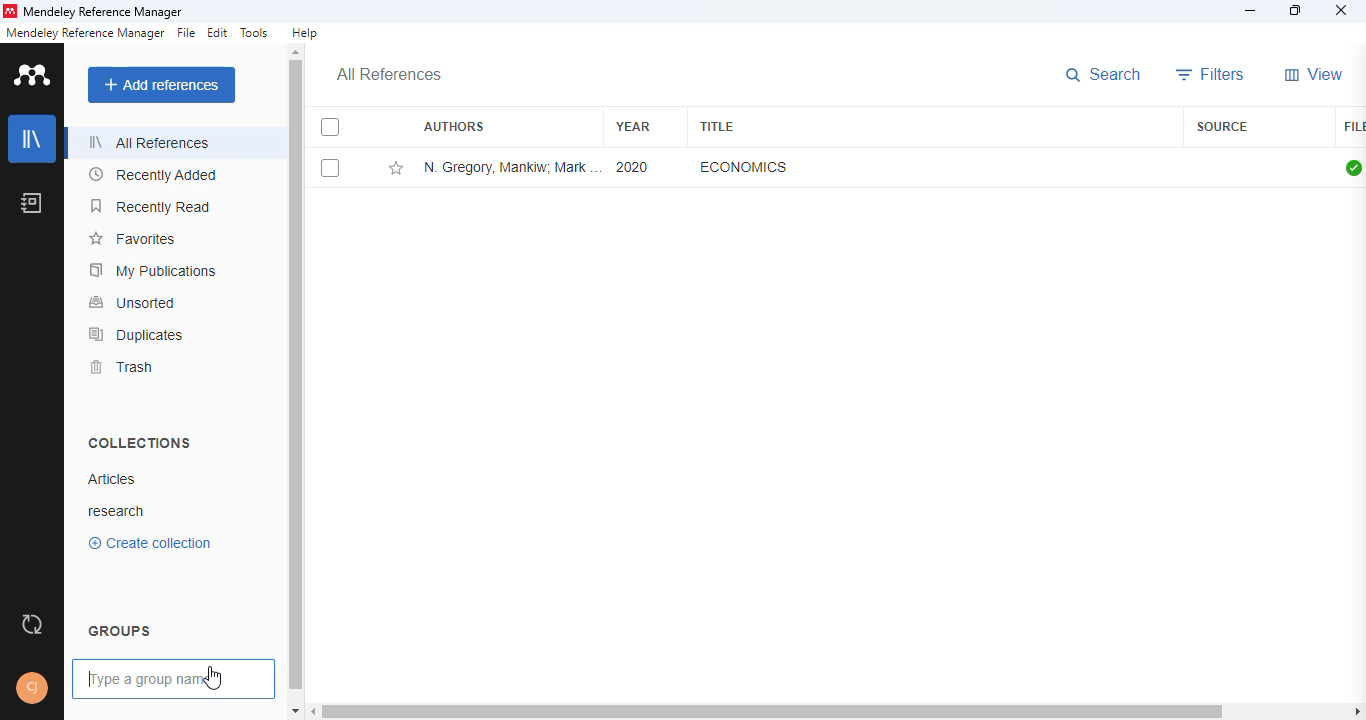  I want to click on logo, so click(33, 75).